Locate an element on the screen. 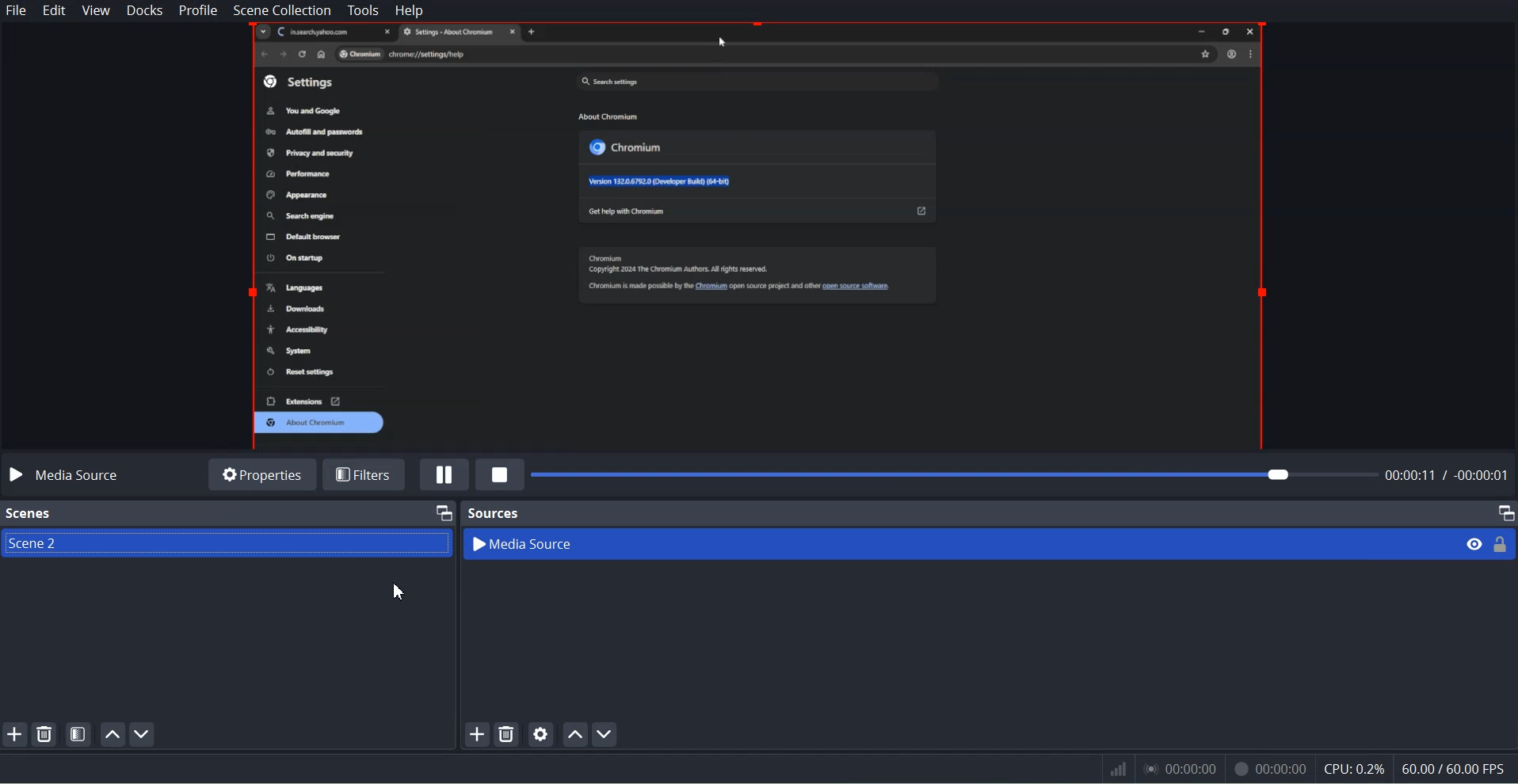 The image size is (1518, 784). Scene Collection is located at coordinates (281, 10).